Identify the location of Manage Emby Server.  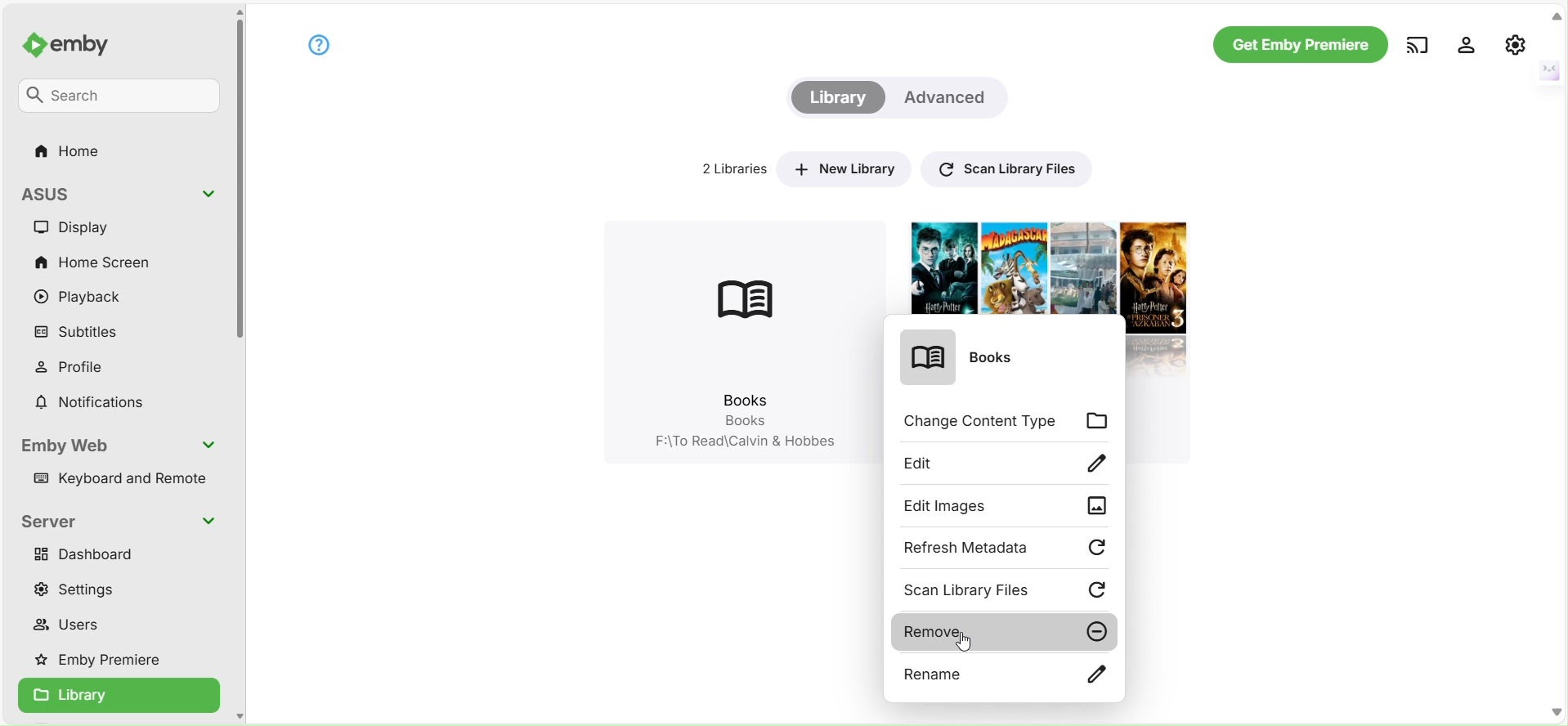
(1516, 43).